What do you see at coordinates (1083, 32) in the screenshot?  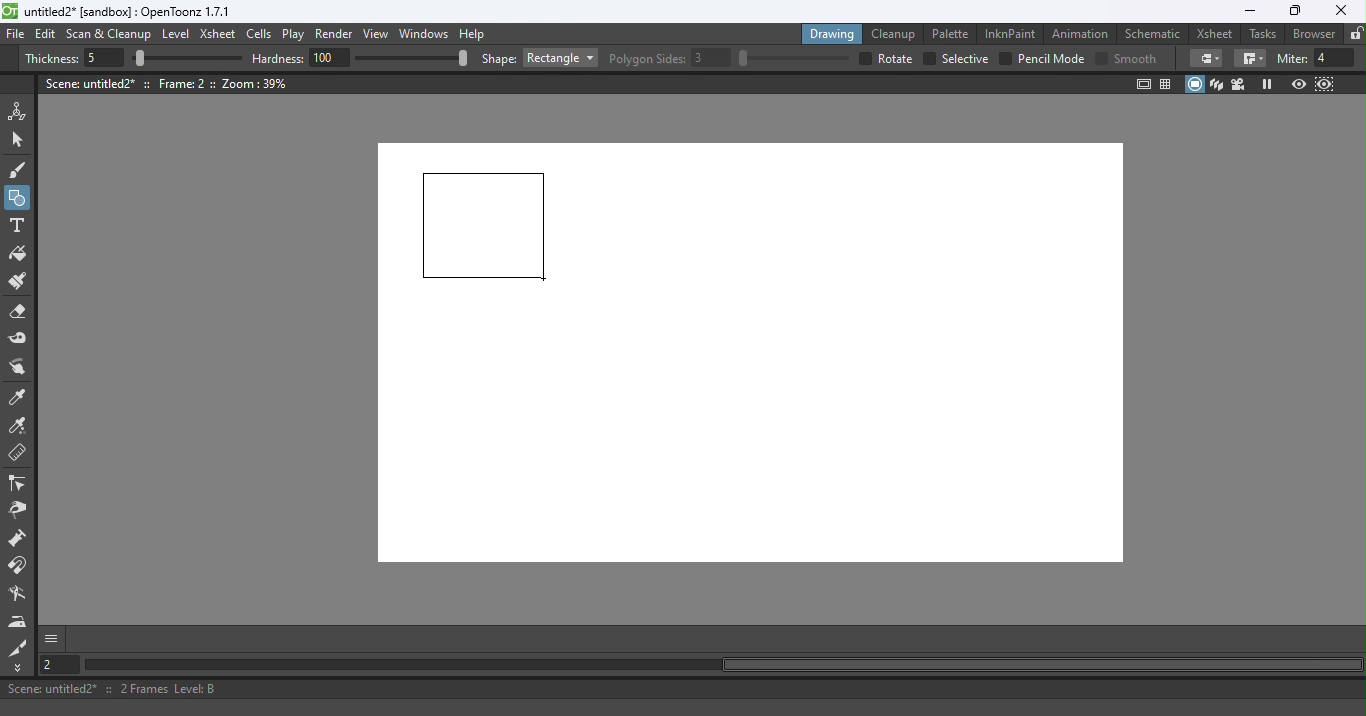 I see `Animation` at bounding box center [1083, 32].